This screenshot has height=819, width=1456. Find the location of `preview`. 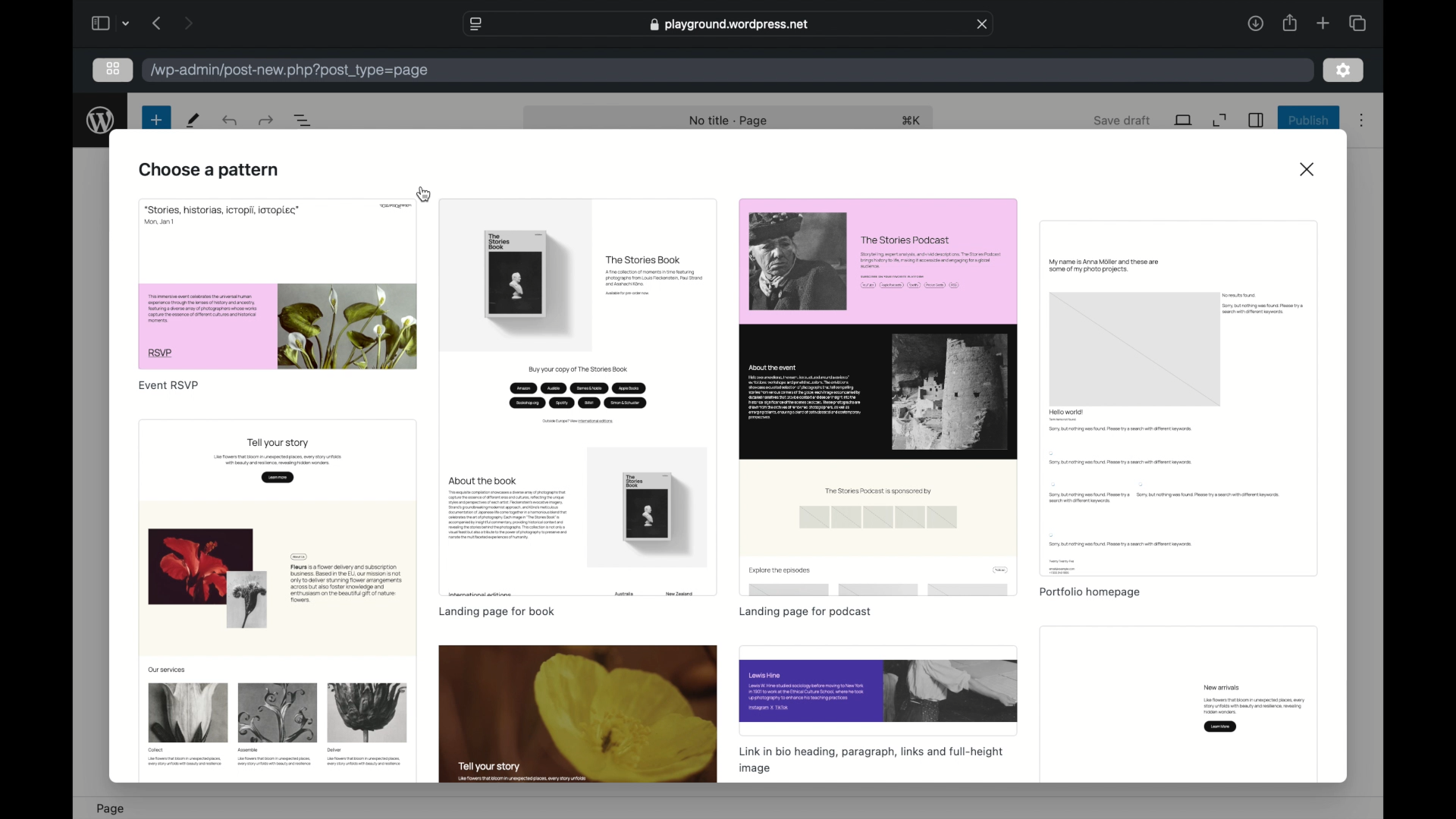

preview is located at coordinates (877, 691).